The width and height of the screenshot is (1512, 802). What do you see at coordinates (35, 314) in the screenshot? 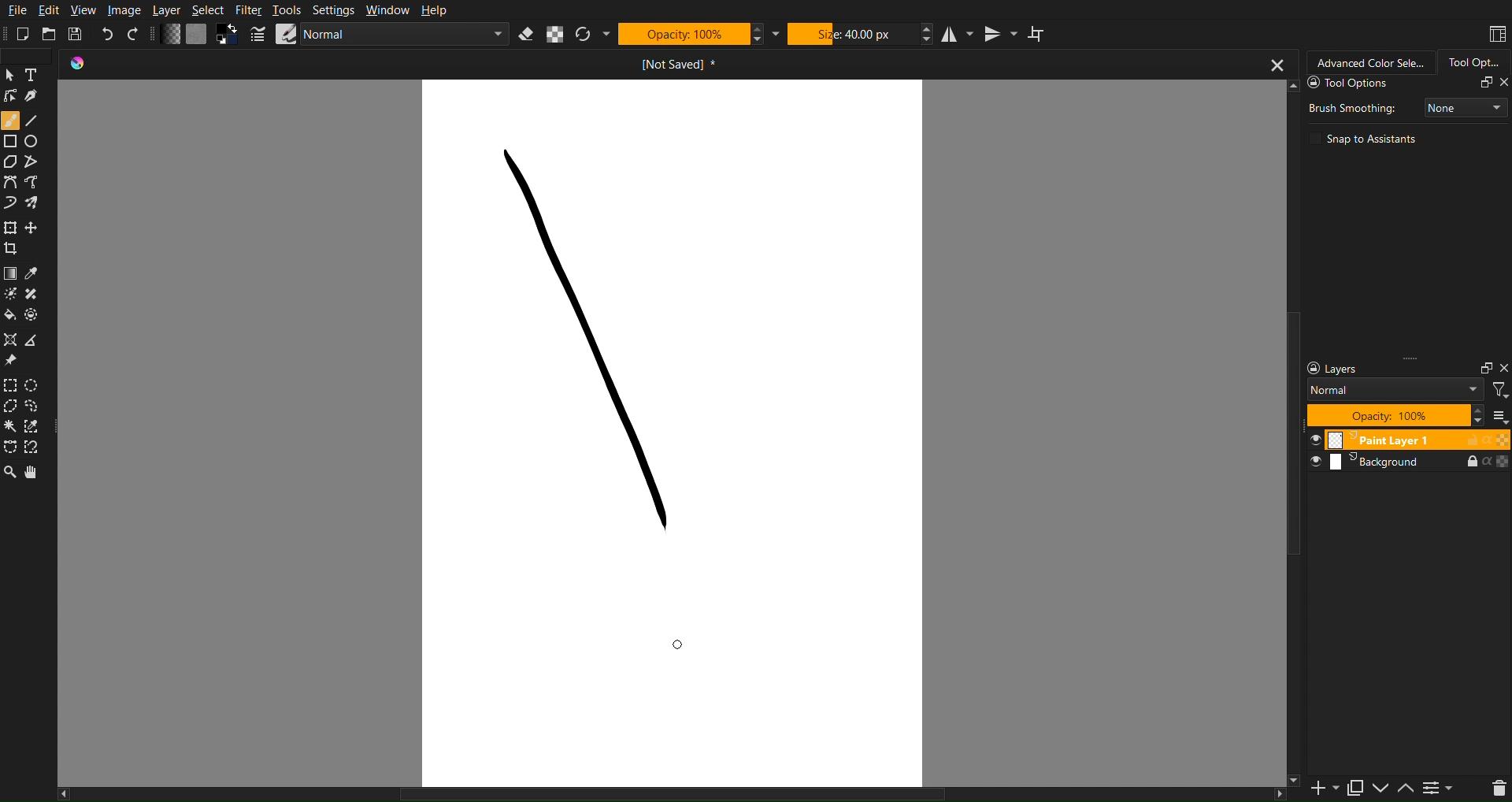
I see `Pallete` at bounding box center [35, 314].